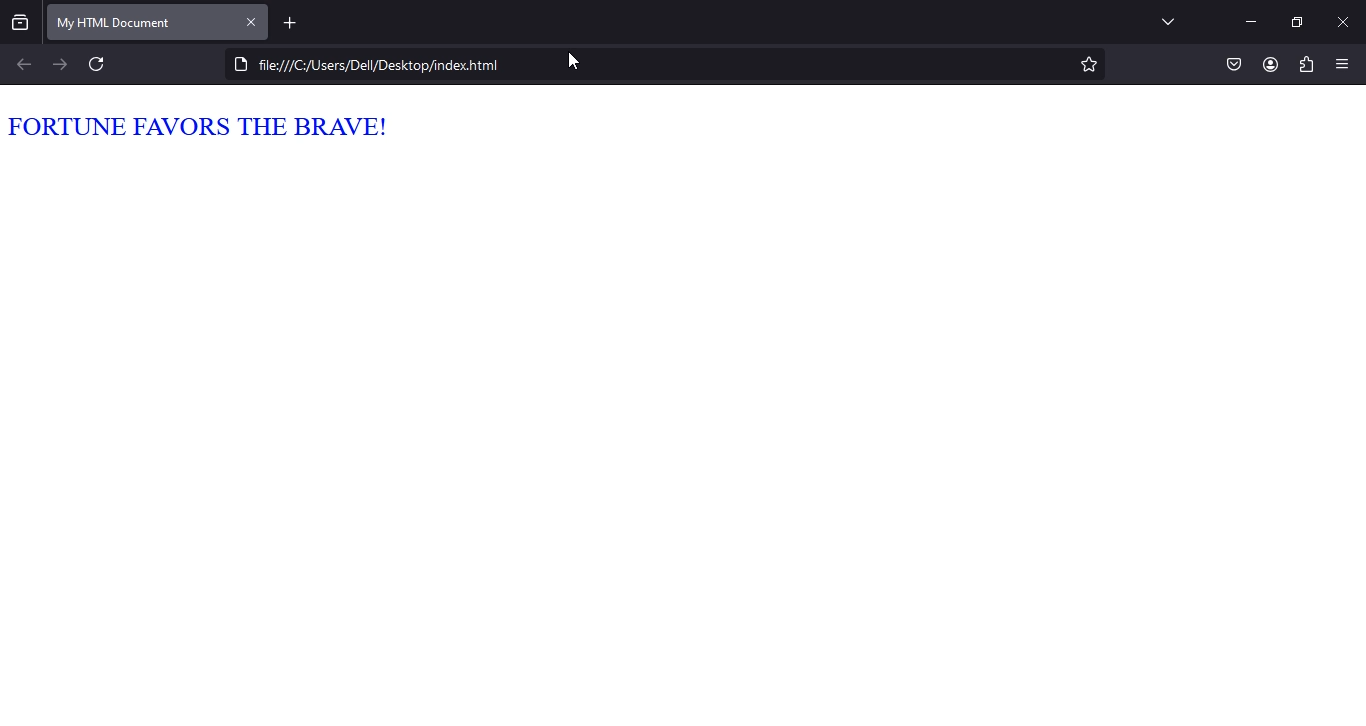 Image resolution: width=1366 pixels, height=726 pixels. I want to click on FORTUNE FAVORS THE BRAVE!, so click(214, 125).